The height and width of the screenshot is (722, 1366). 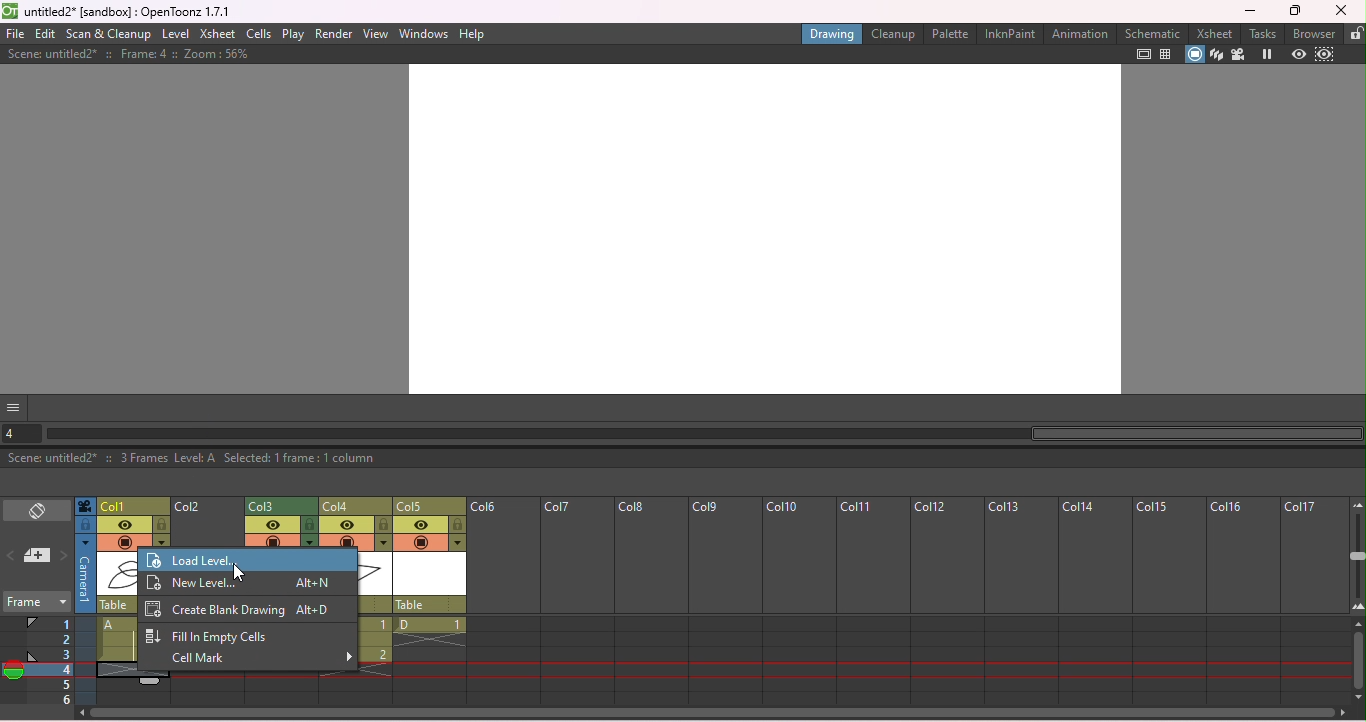 What do you see at coordinates (1357, 610) in the screenshot?
I see `Zoom in` at bounding box center [1357, 610].